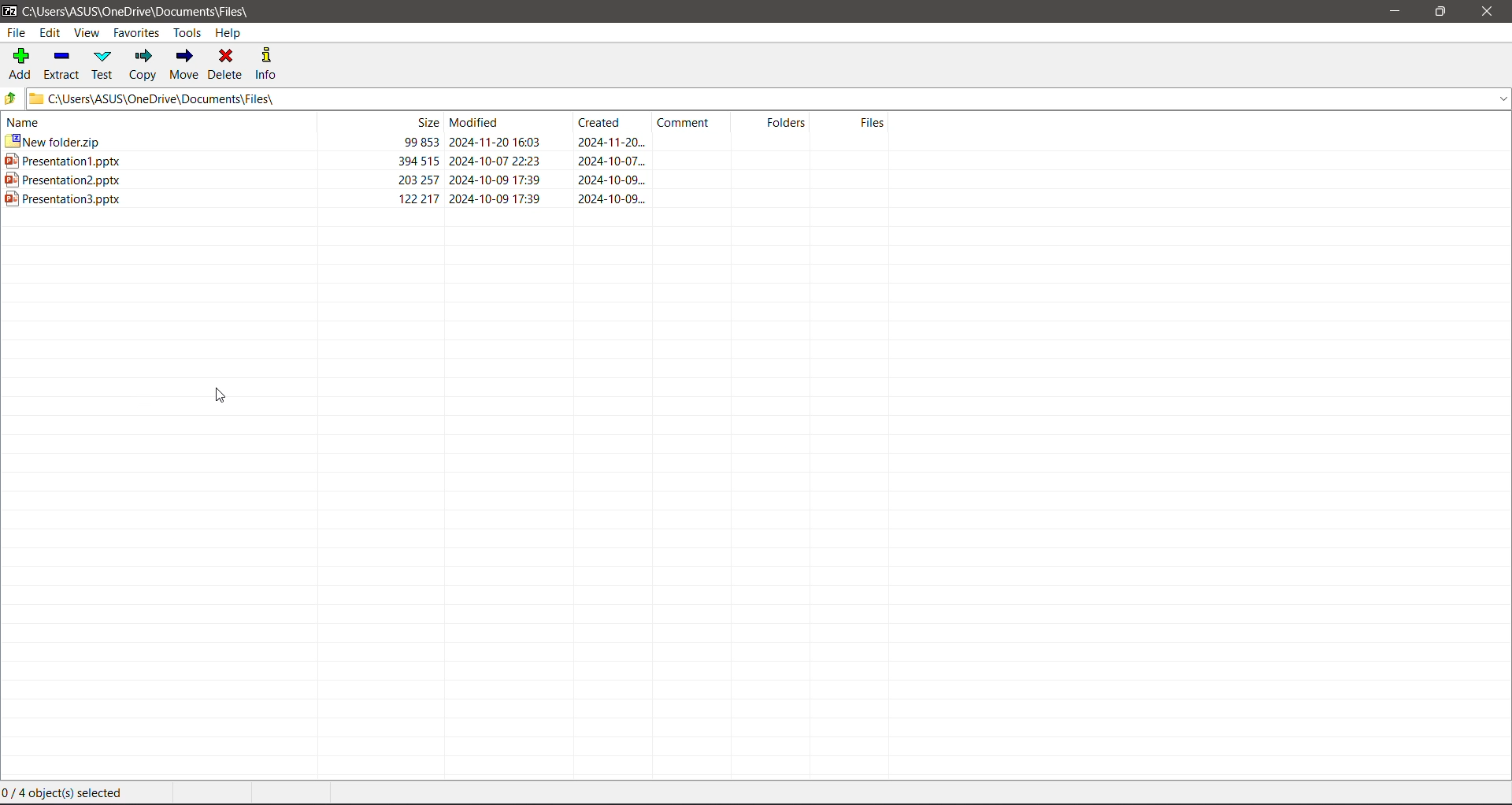 The height and width of the screenshot is (805, 1512). What do you see at coordinates (449, 198) in the screenshot?
I see `ppt 3` at bounding box center [449, 198].